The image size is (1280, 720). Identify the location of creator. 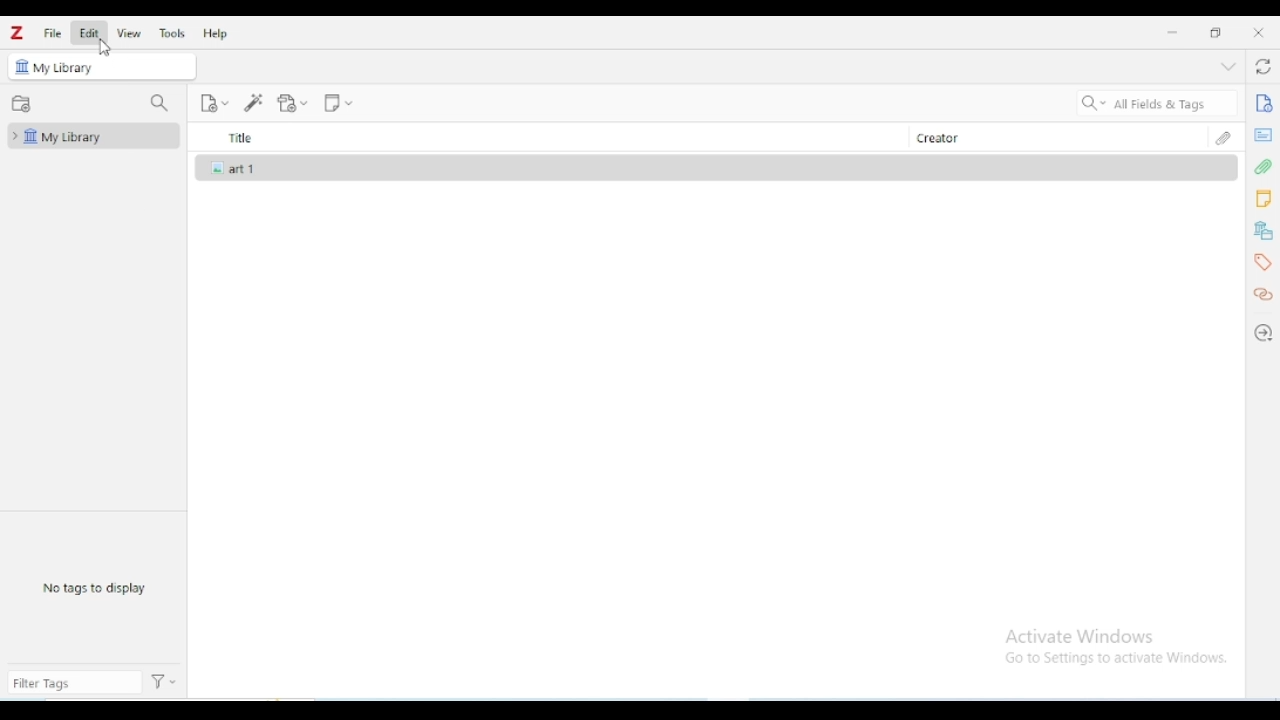
(938, 139).